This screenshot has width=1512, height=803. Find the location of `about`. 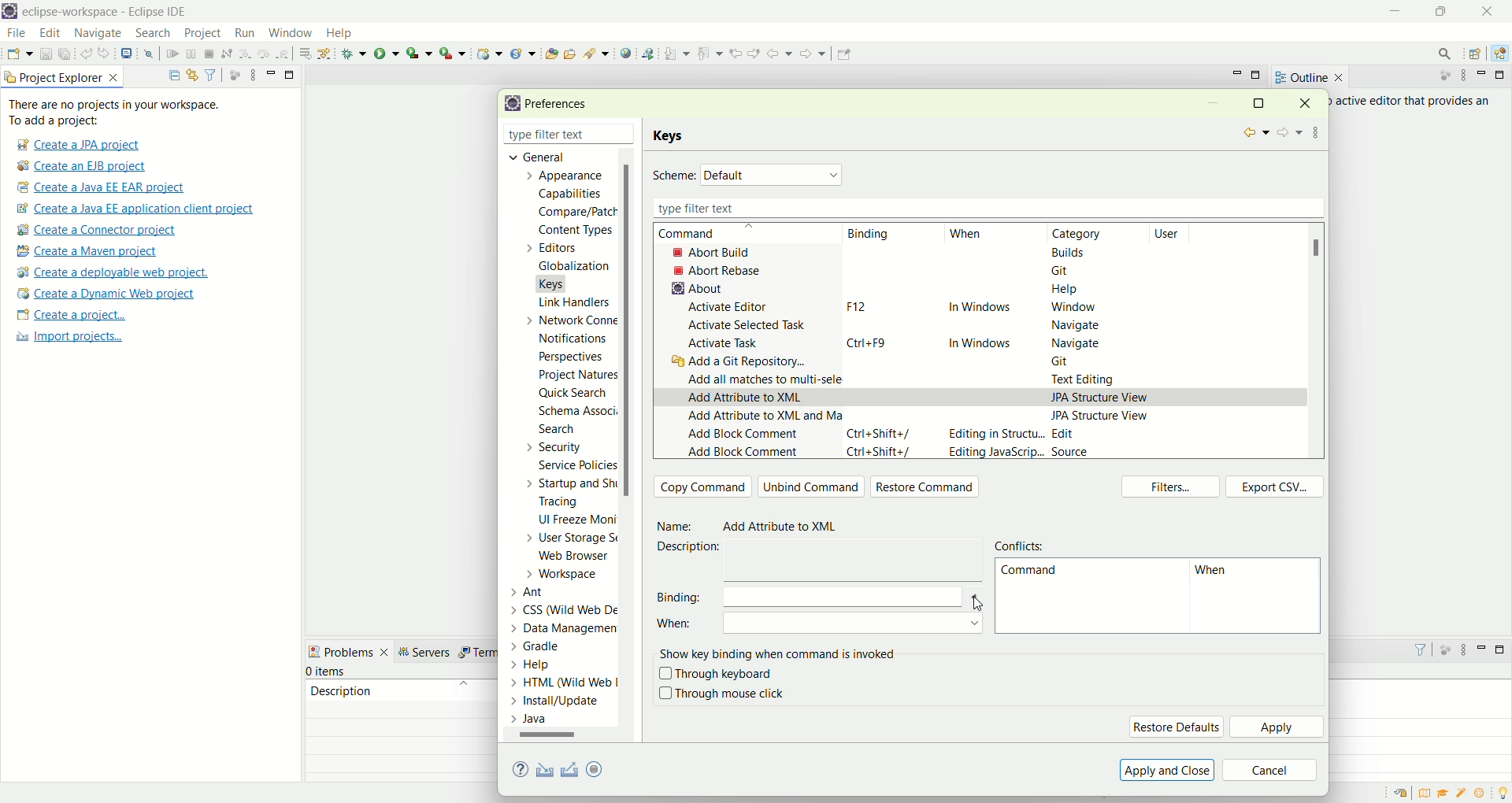

about is located at coordinates (693, 288).